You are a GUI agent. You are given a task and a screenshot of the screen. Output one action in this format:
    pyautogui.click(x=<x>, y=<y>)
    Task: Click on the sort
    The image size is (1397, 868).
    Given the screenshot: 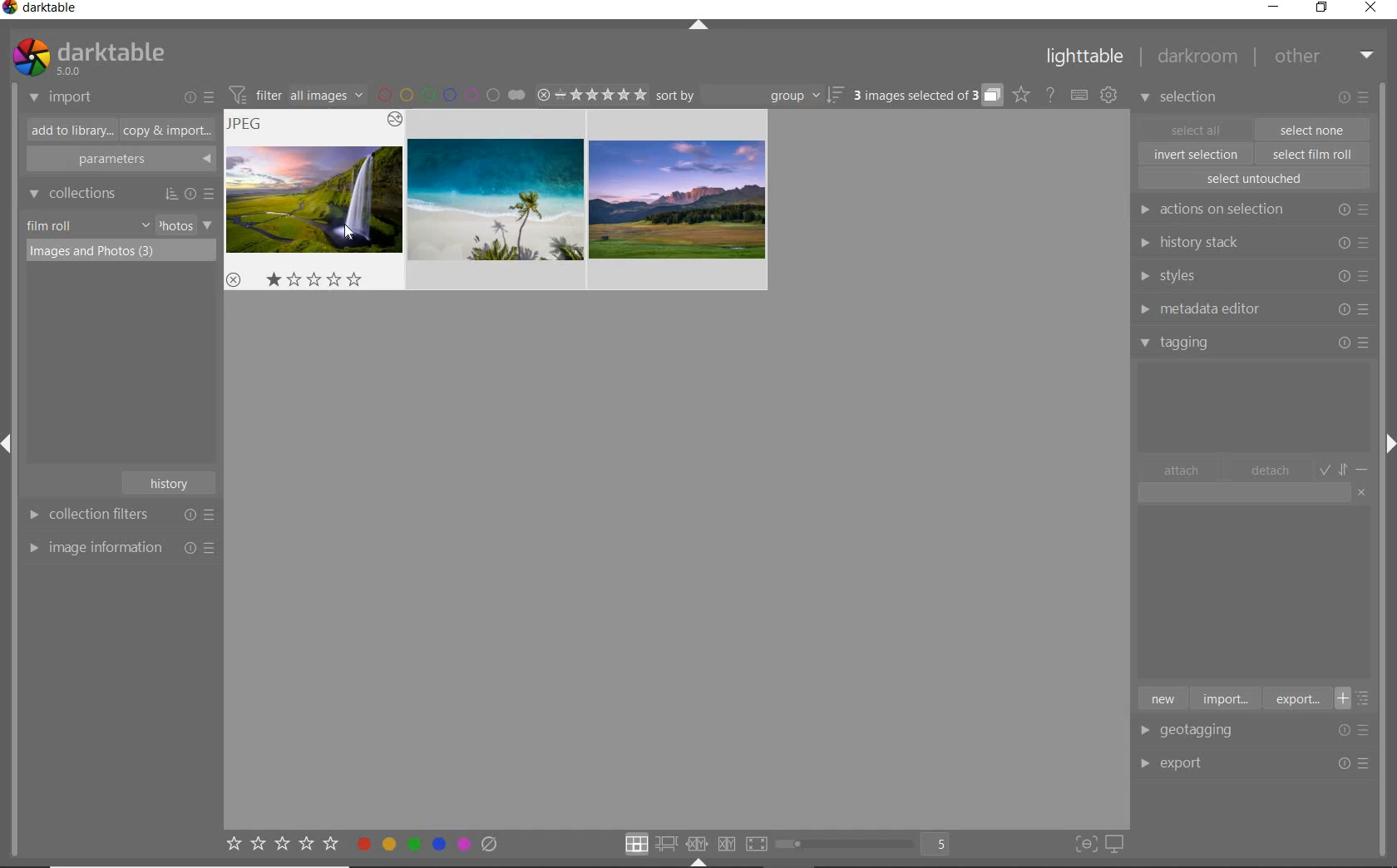 What is the action you would take?
    pyautogui.click(x=750, y=96)
    